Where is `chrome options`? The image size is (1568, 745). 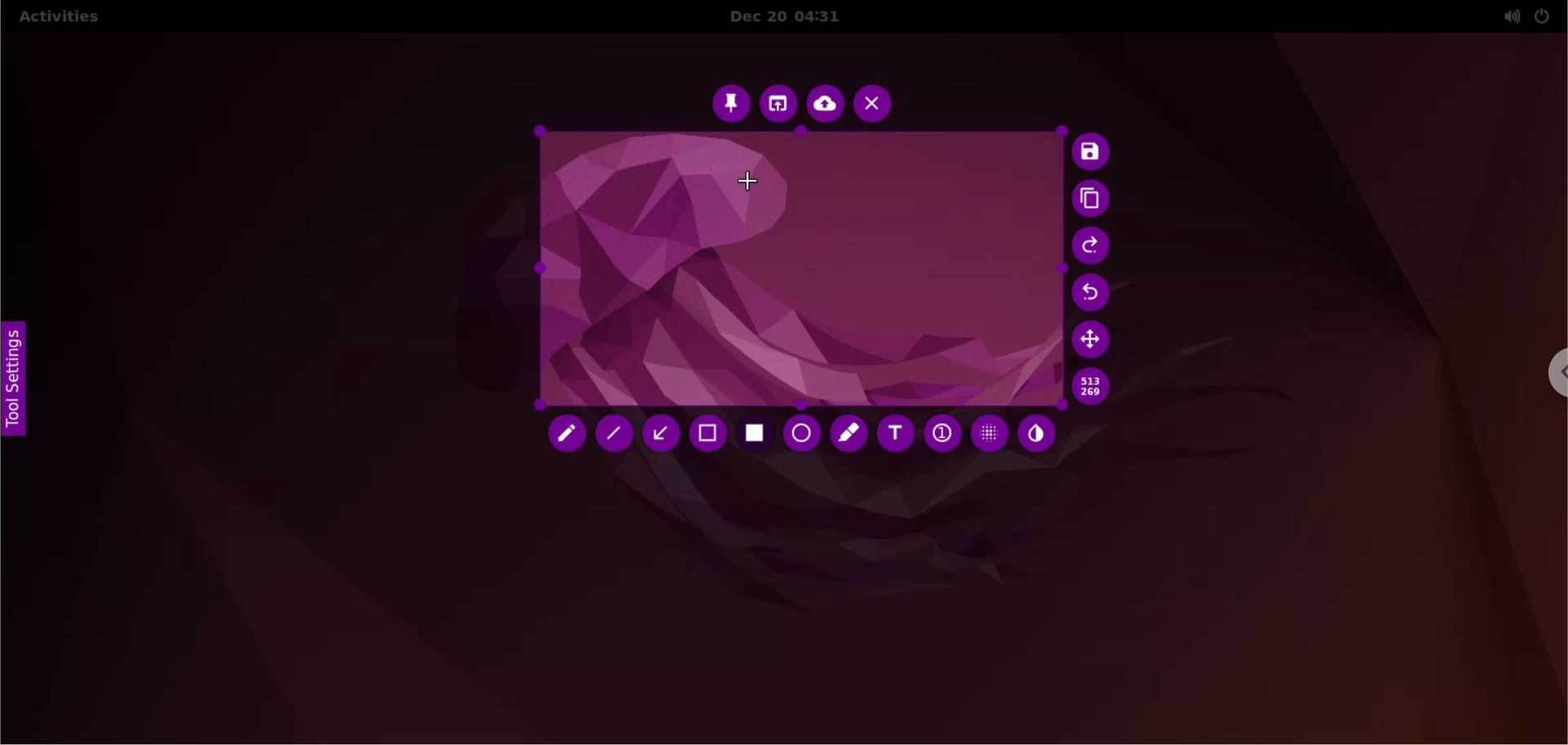
chrome options is located at coordinates (1555, 373).